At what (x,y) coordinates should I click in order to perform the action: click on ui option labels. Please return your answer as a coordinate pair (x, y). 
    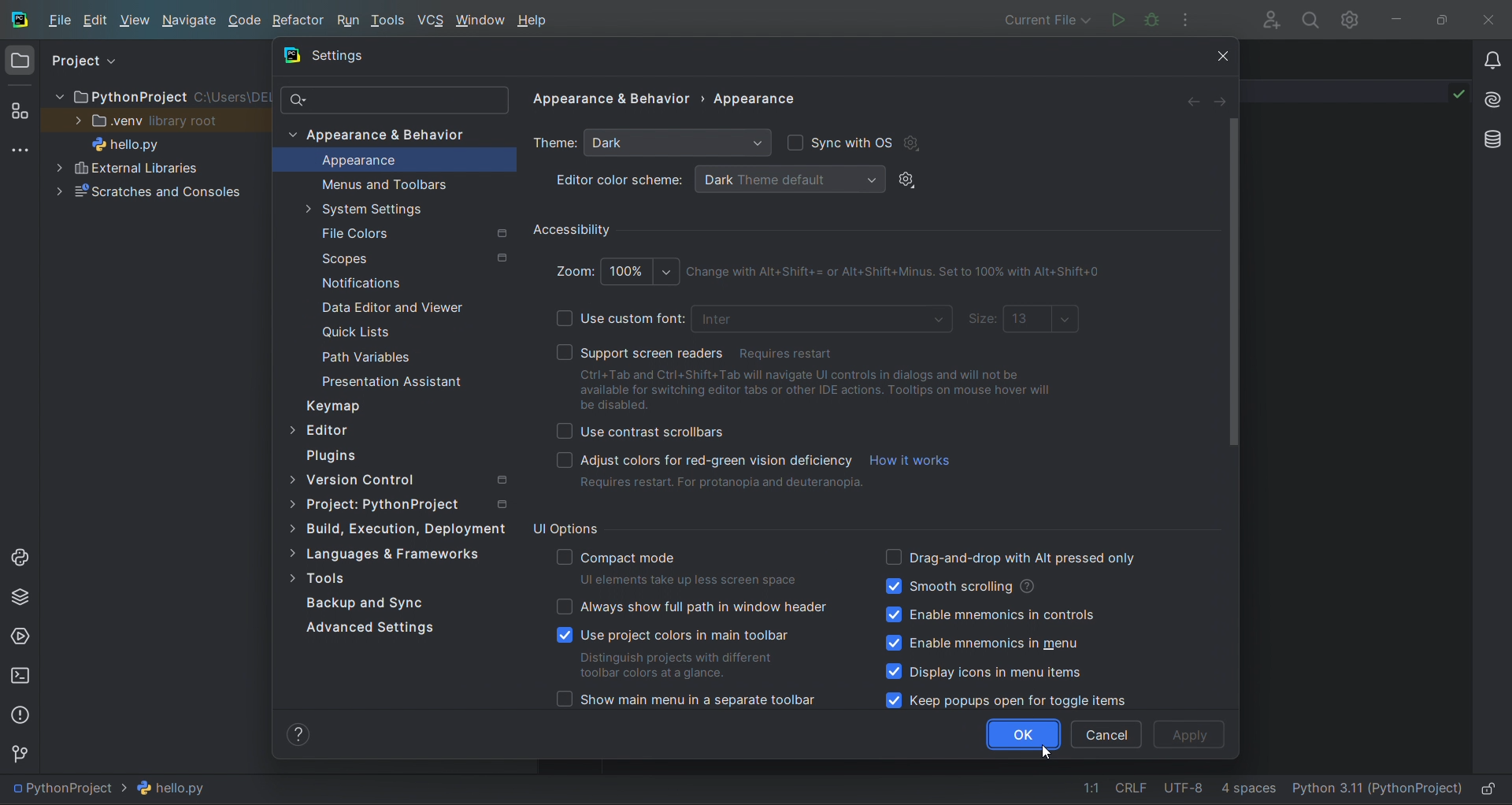
    Looking at the image, I should click on (1047, 629).